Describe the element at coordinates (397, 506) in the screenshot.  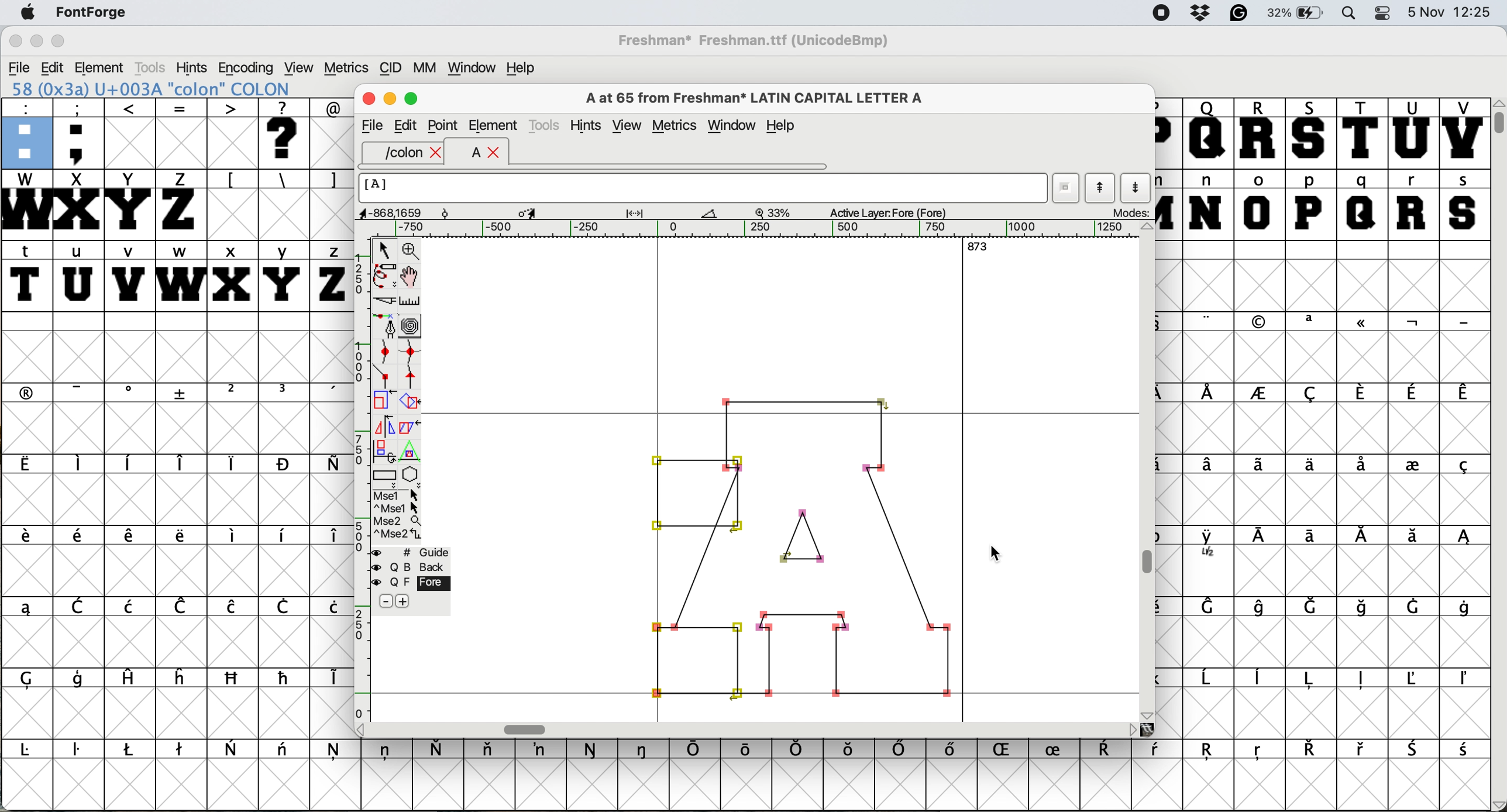
I see `^Mse` at that location.